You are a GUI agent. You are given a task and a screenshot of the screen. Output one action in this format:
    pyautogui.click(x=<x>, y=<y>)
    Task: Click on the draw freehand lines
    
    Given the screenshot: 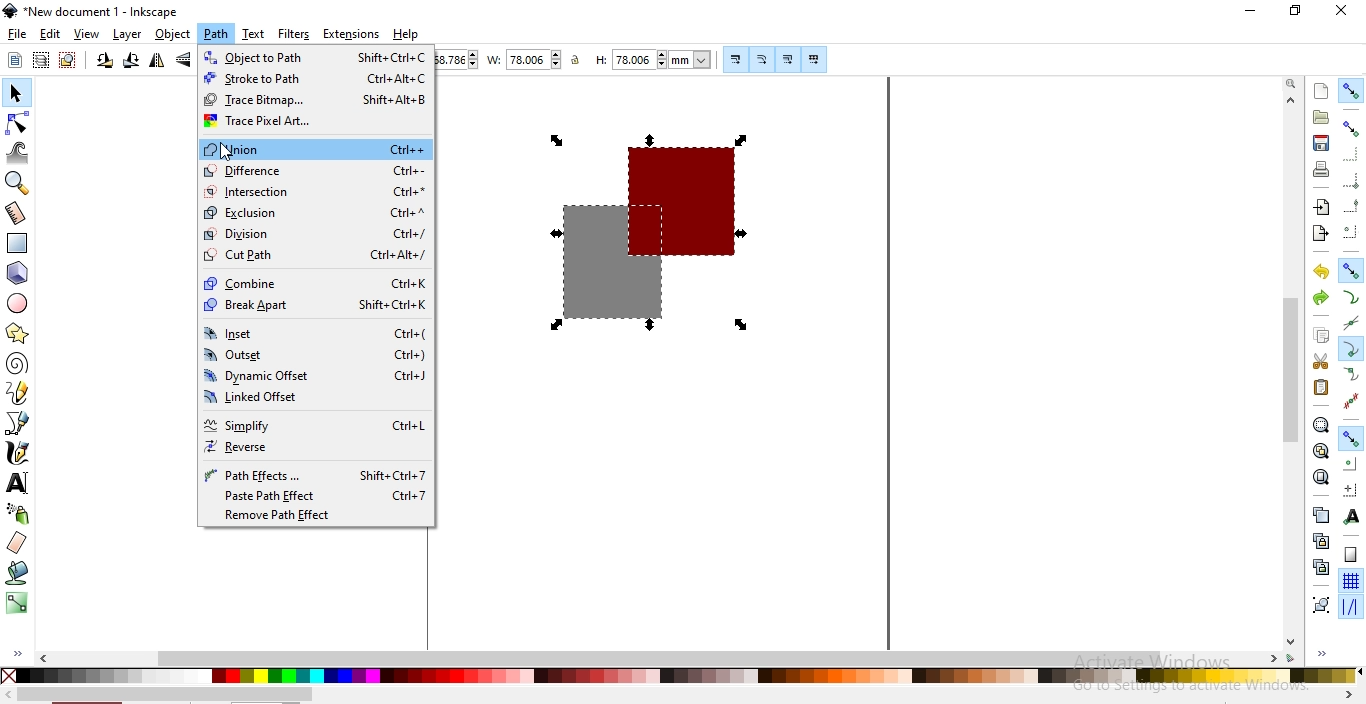 What is the action you would take?
    pyautogui.click(x=18, y=392)
    